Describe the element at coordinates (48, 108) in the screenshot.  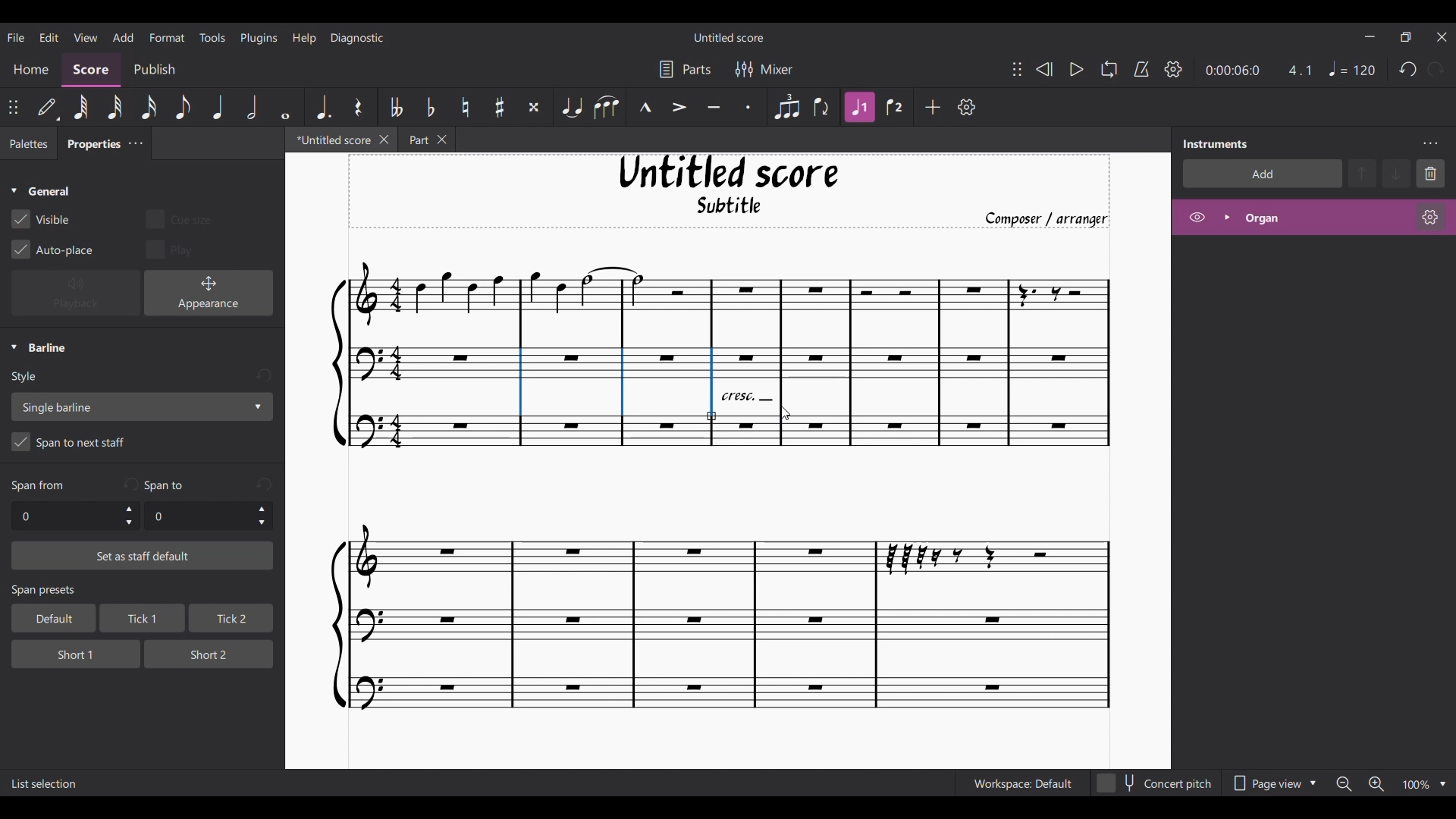
I see `Default` at that location.